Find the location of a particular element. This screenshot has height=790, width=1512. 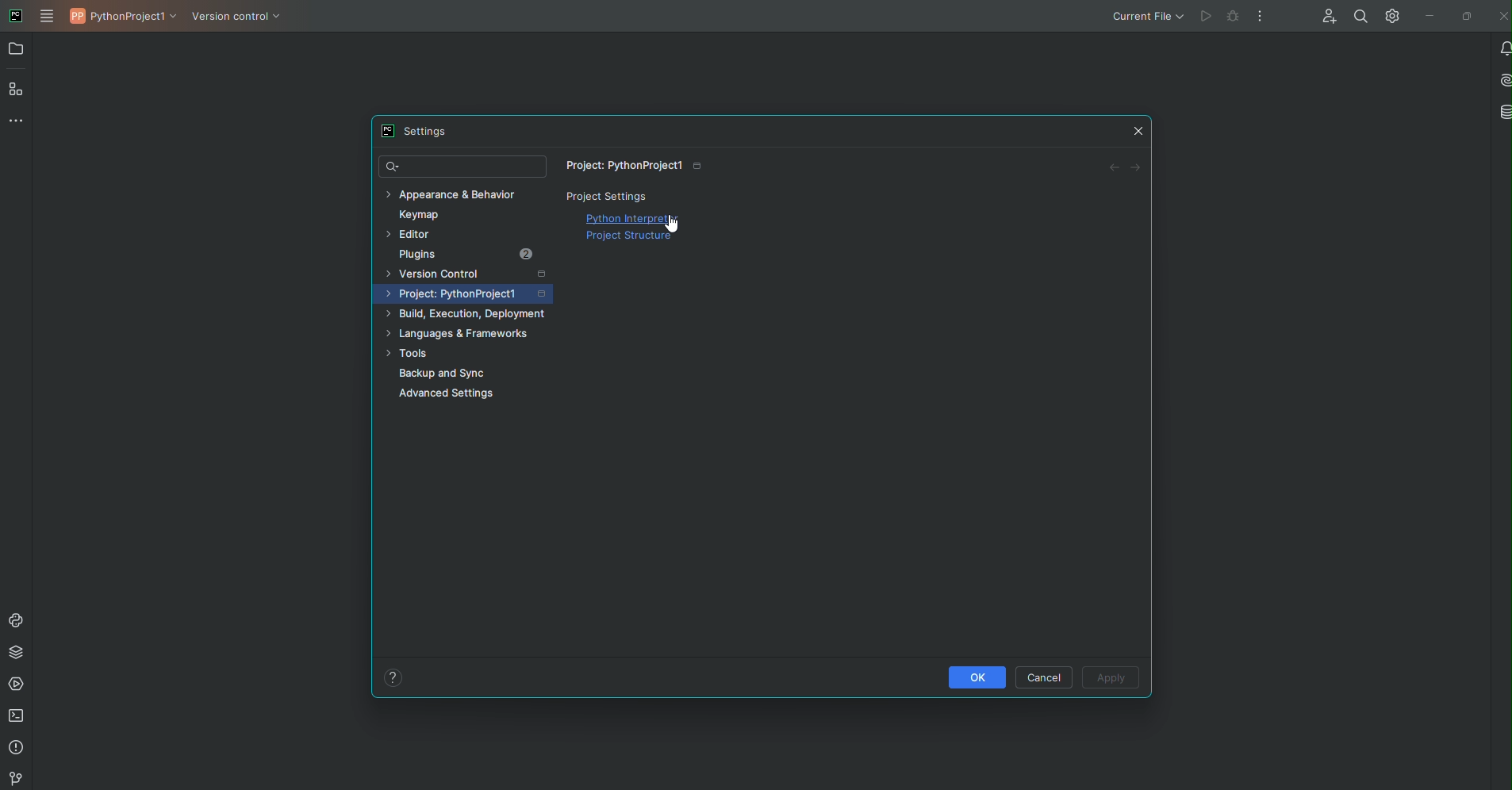

PyCharm is located at coordinates (15, 15).